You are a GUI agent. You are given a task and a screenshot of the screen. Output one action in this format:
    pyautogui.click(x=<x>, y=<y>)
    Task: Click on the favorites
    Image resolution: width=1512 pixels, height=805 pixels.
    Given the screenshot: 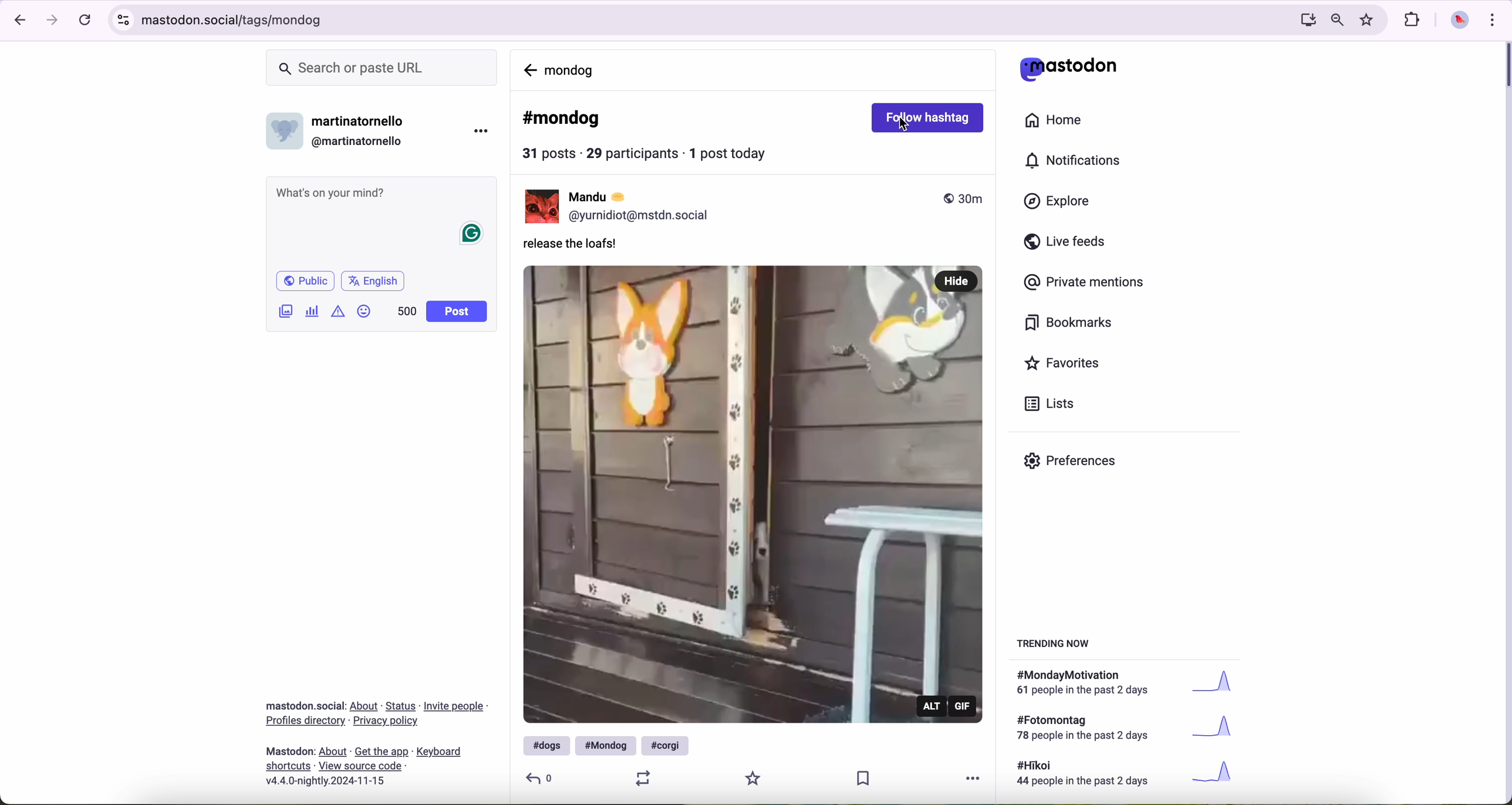 What is the action you would take?
    pyautogui.click(x=1368, y=19)
    